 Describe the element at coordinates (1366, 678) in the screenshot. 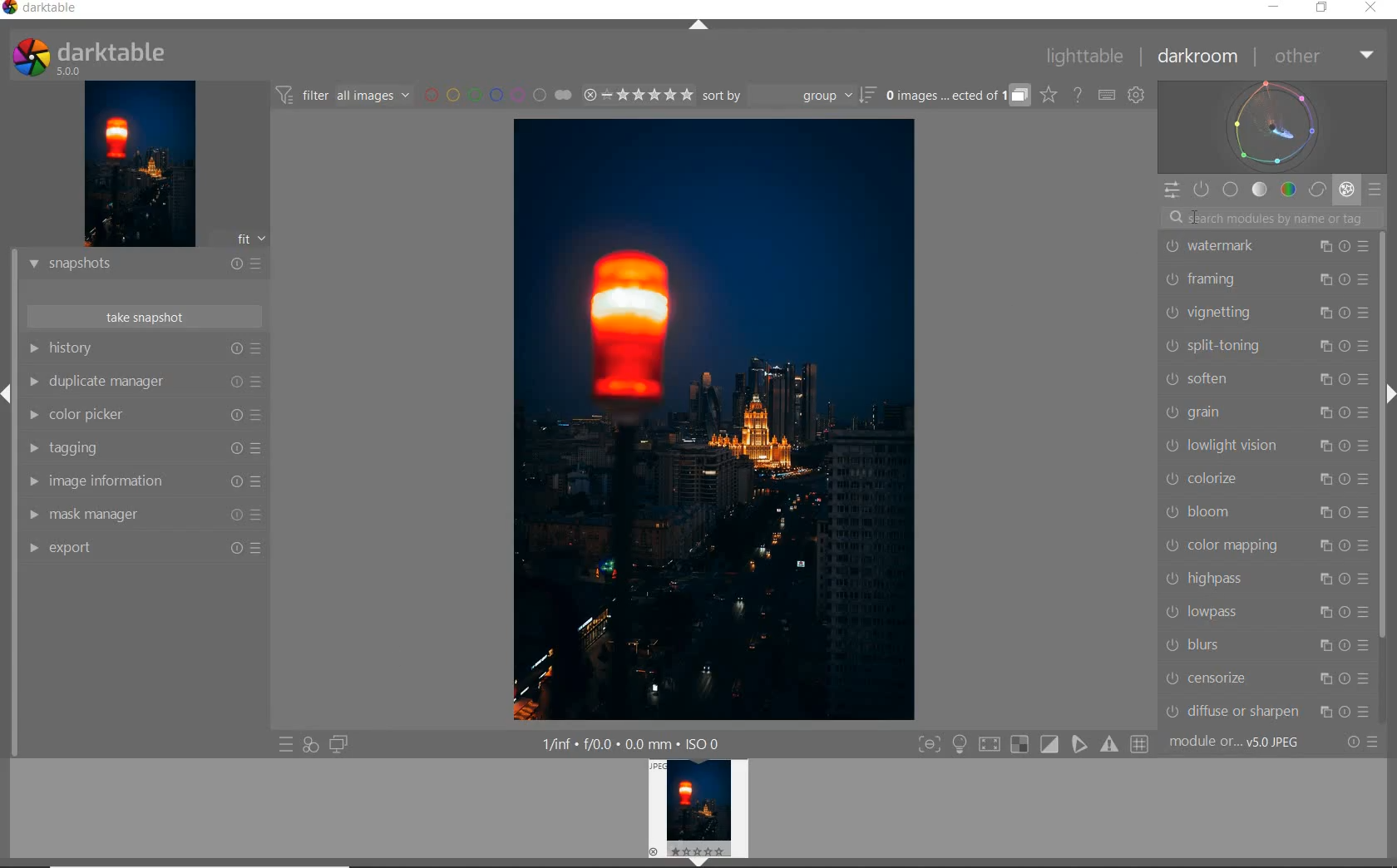

I see `Preset and reset` at that location.